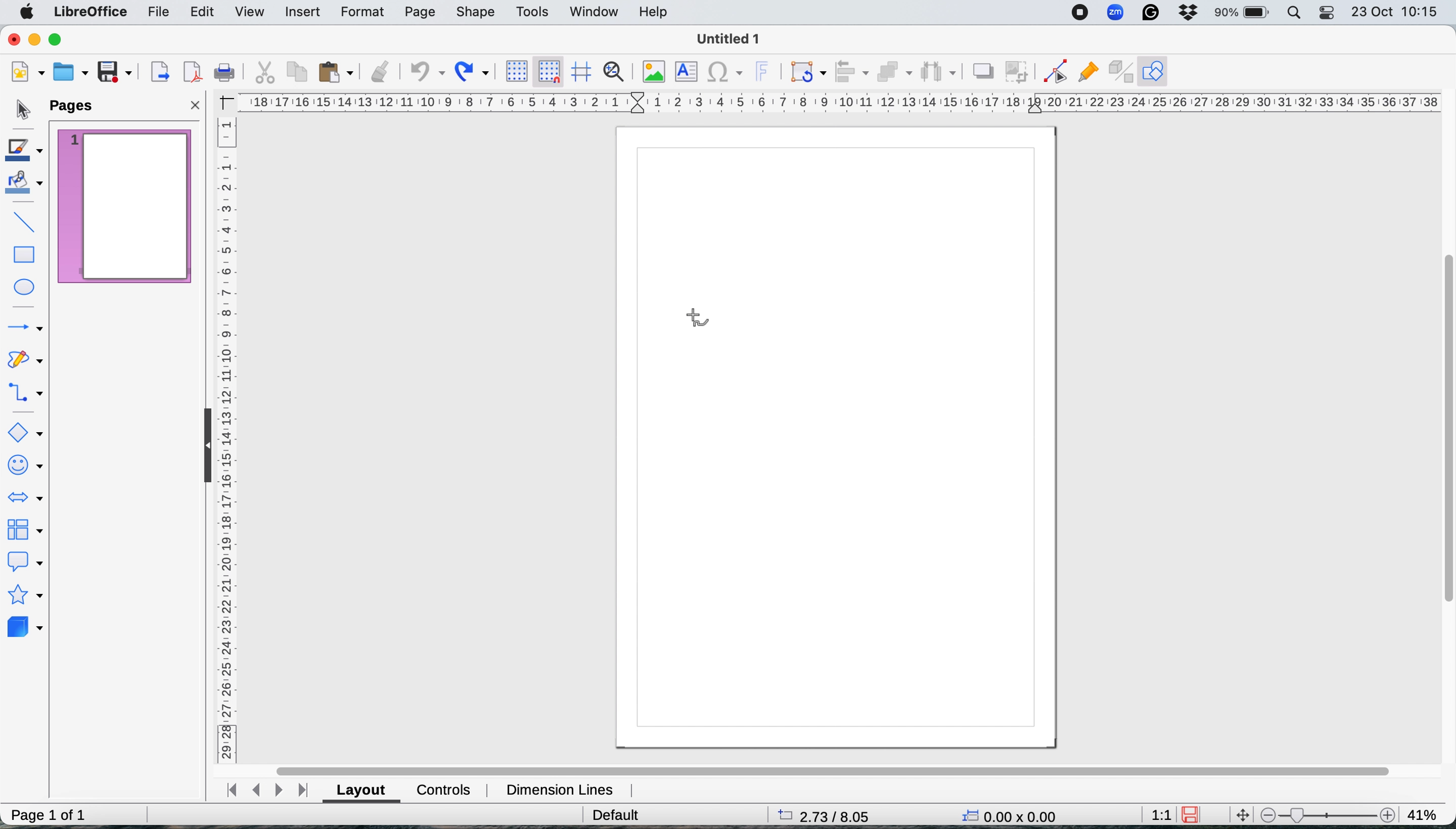 The image size is (1456, 829). What do you see at coordinates (836, 815) in the screenshot?
I see `page dimensions` at bounding box center [836, 815].